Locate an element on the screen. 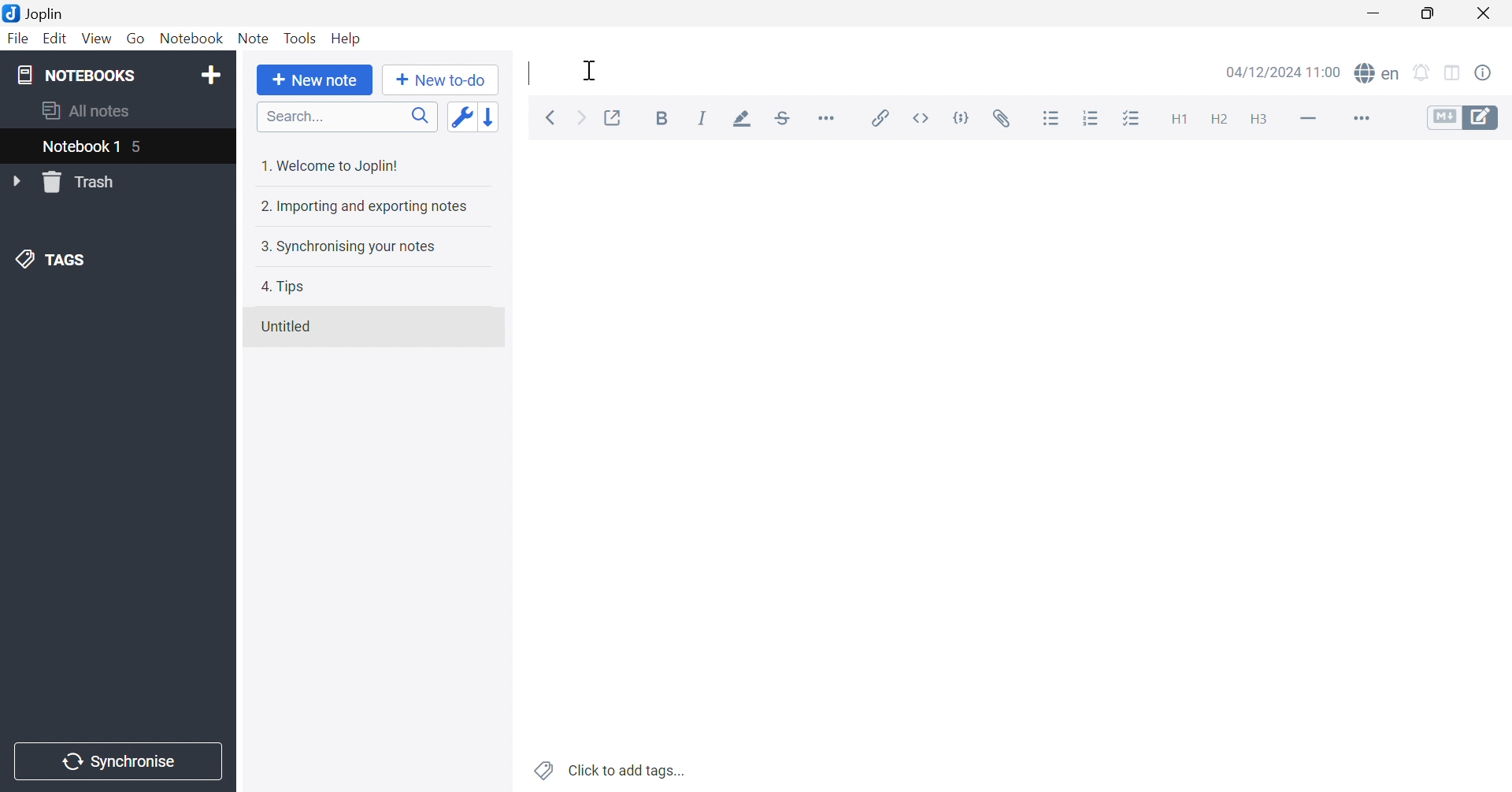 This screenshot has height=792, width=1512. Note properties is located at coordinates (1492, 73).